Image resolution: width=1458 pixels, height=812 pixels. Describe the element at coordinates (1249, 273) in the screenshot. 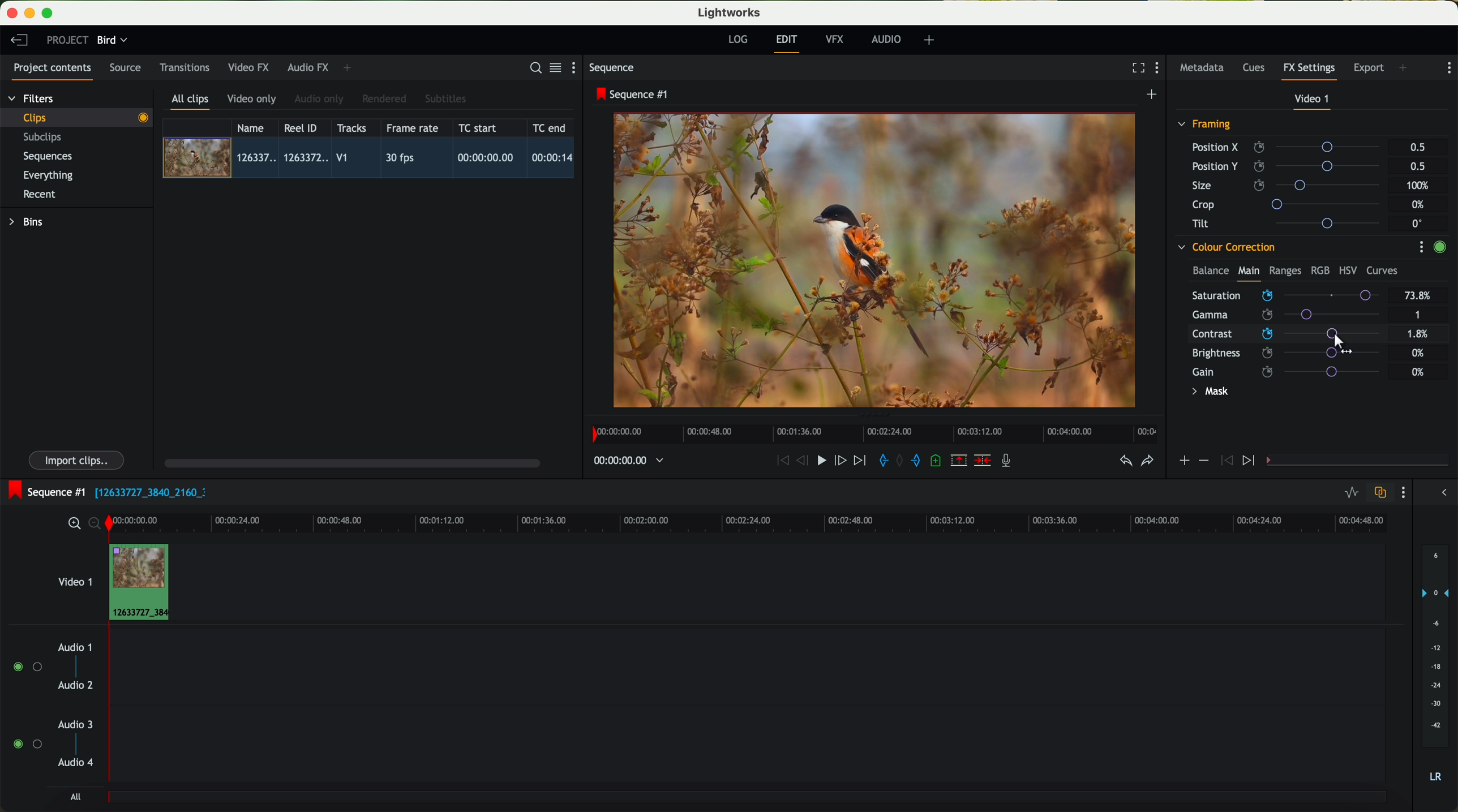

I see `main` at that location.